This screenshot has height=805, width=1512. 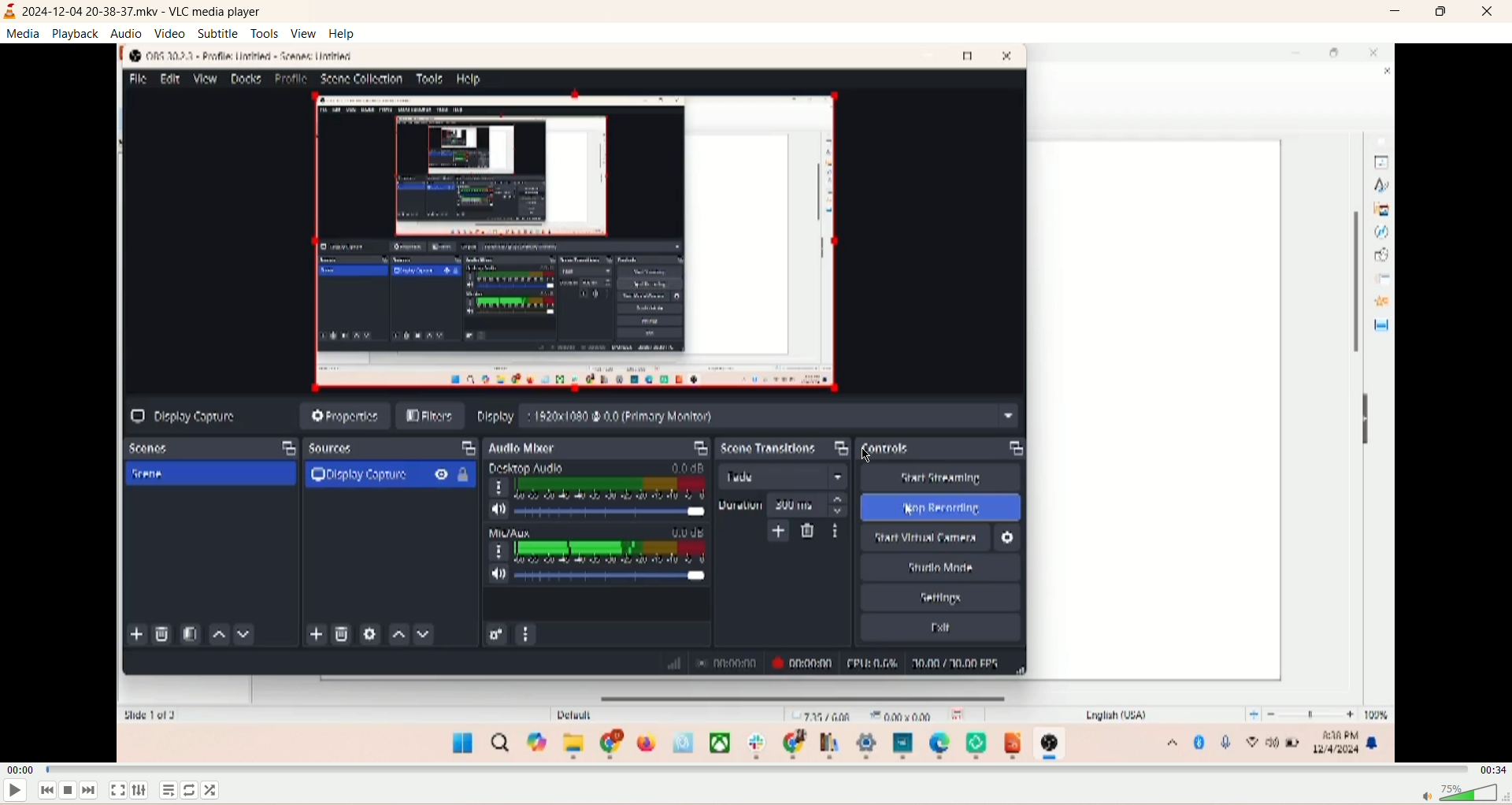 What do you see at coordinates (20, 773) in the screenshot?
I see `played time` at bounding box center [20, 773].